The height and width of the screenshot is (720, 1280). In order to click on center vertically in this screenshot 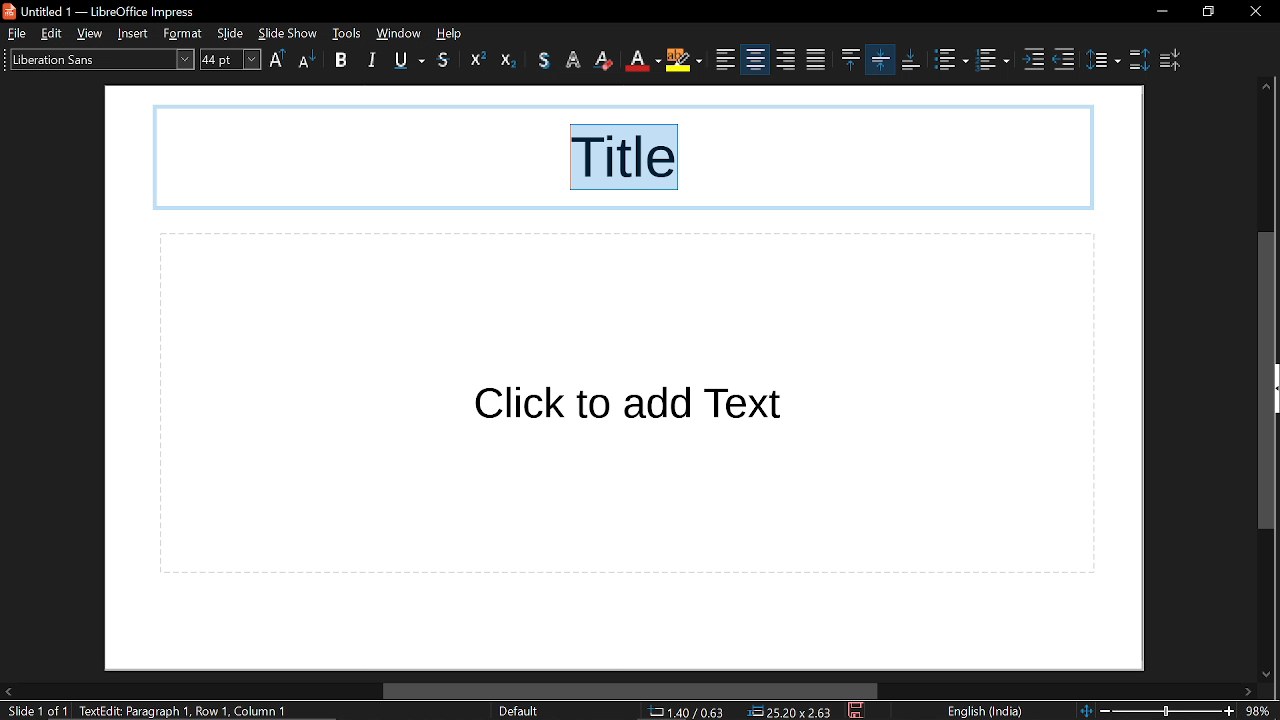, I will do `click(849, 59)`.